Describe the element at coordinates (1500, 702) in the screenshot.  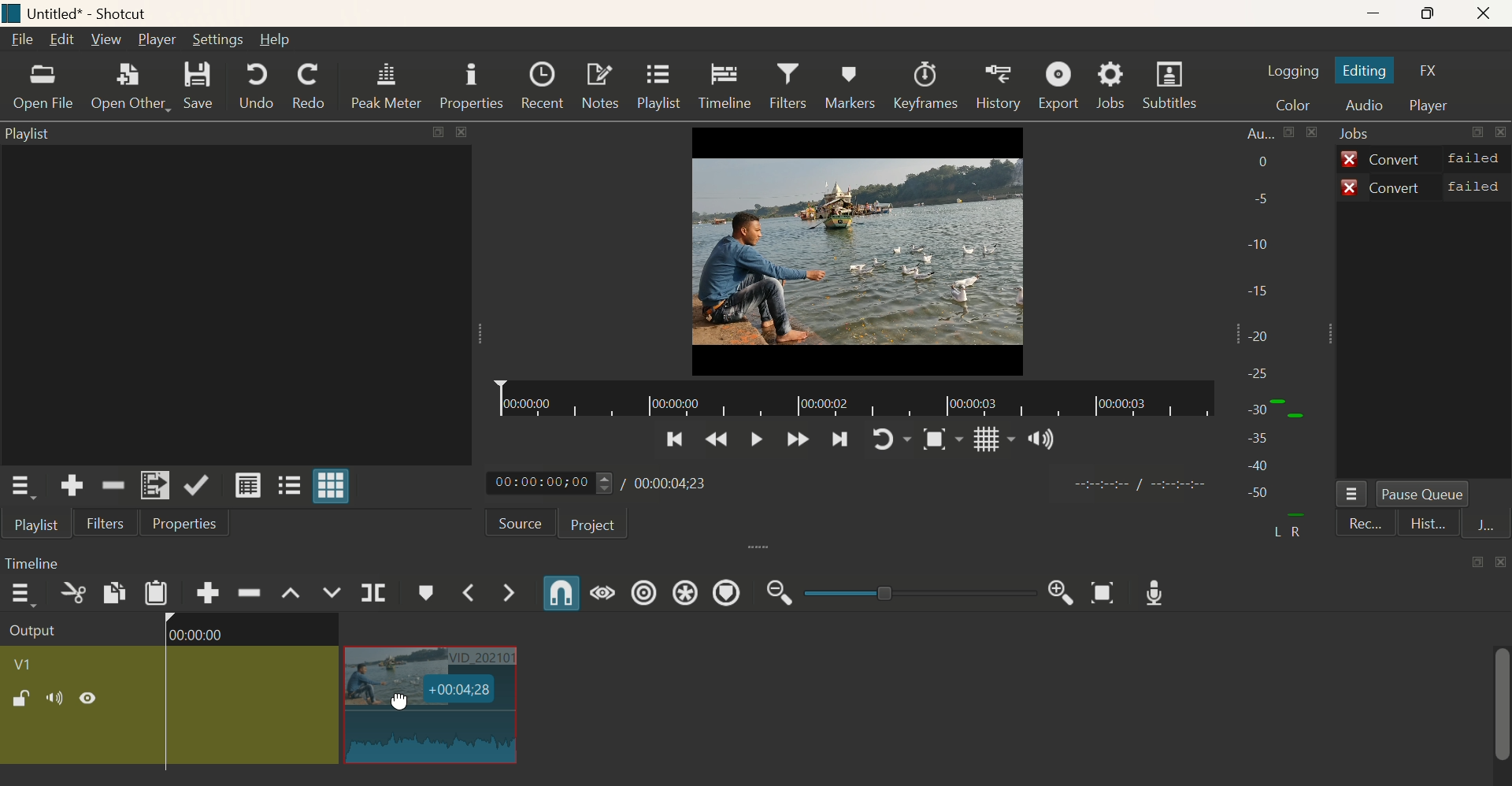
I see `scrollbar` at that location.